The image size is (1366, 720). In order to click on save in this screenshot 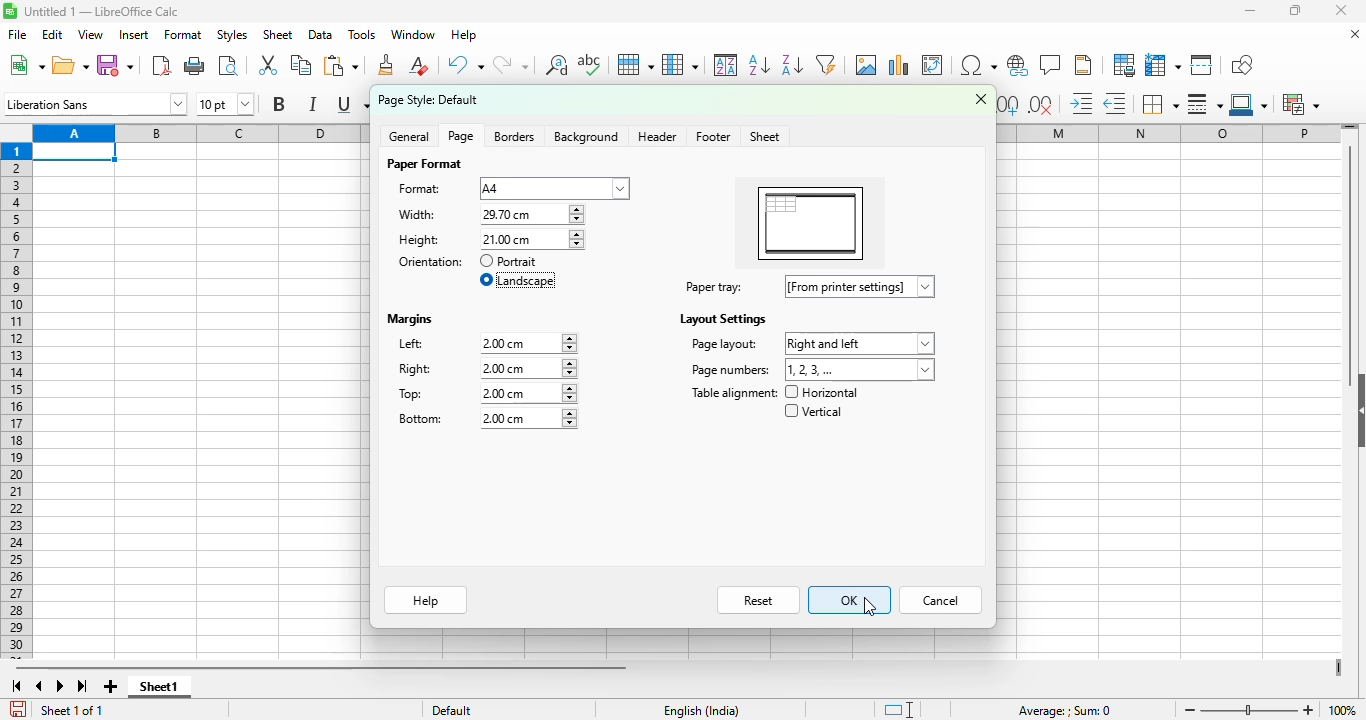, I will do `click(115, 66)`.